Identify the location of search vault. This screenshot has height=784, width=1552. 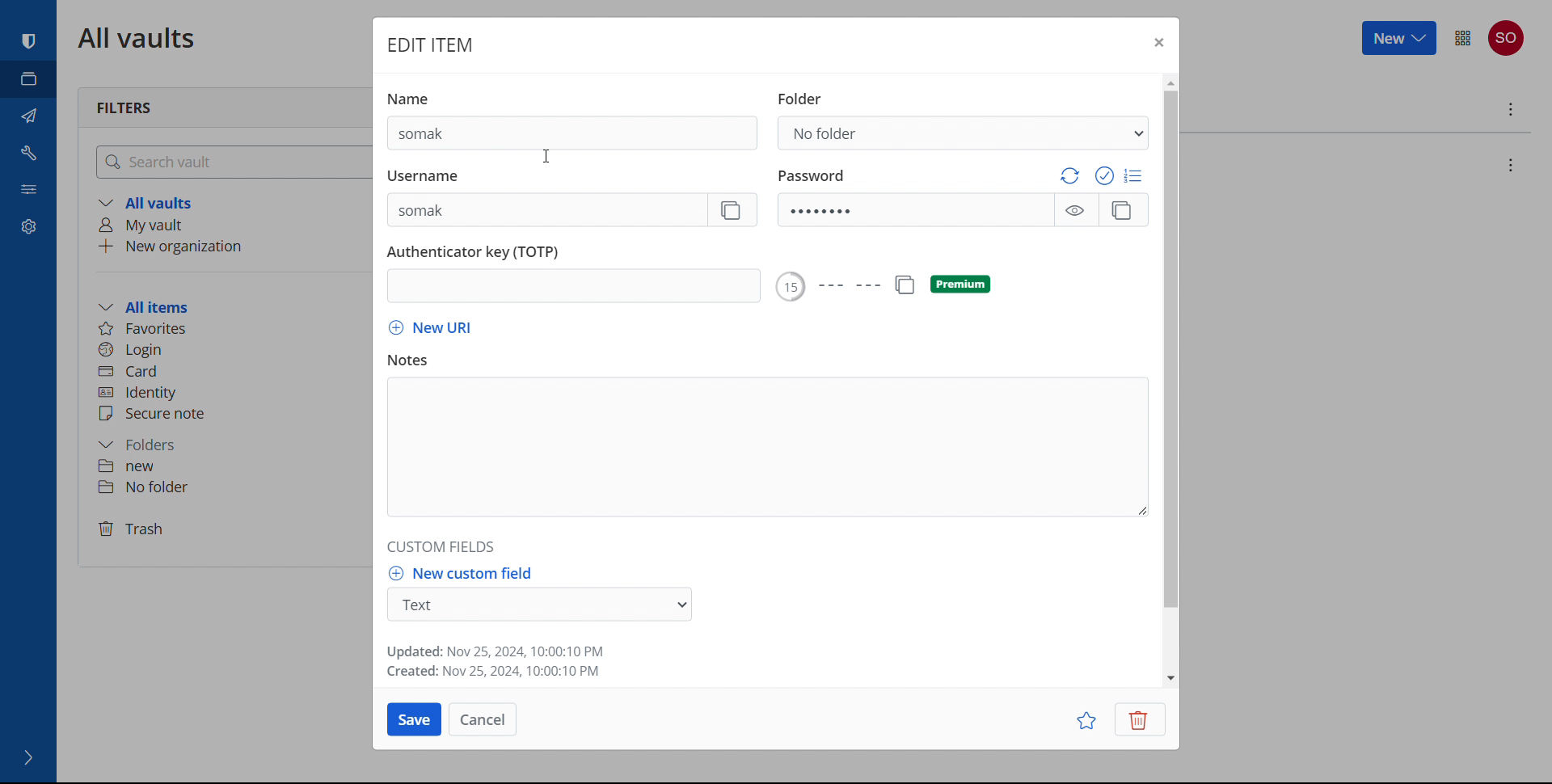
(234, 162).